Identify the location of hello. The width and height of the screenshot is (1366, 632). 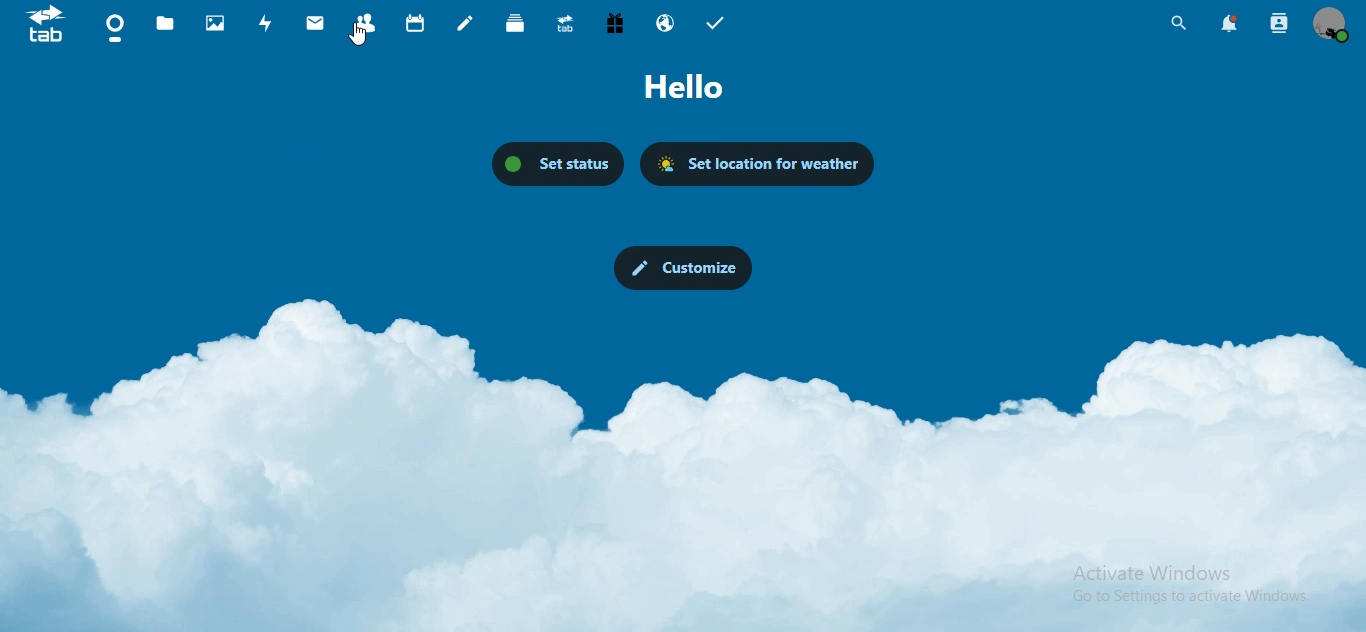
(695, 88).